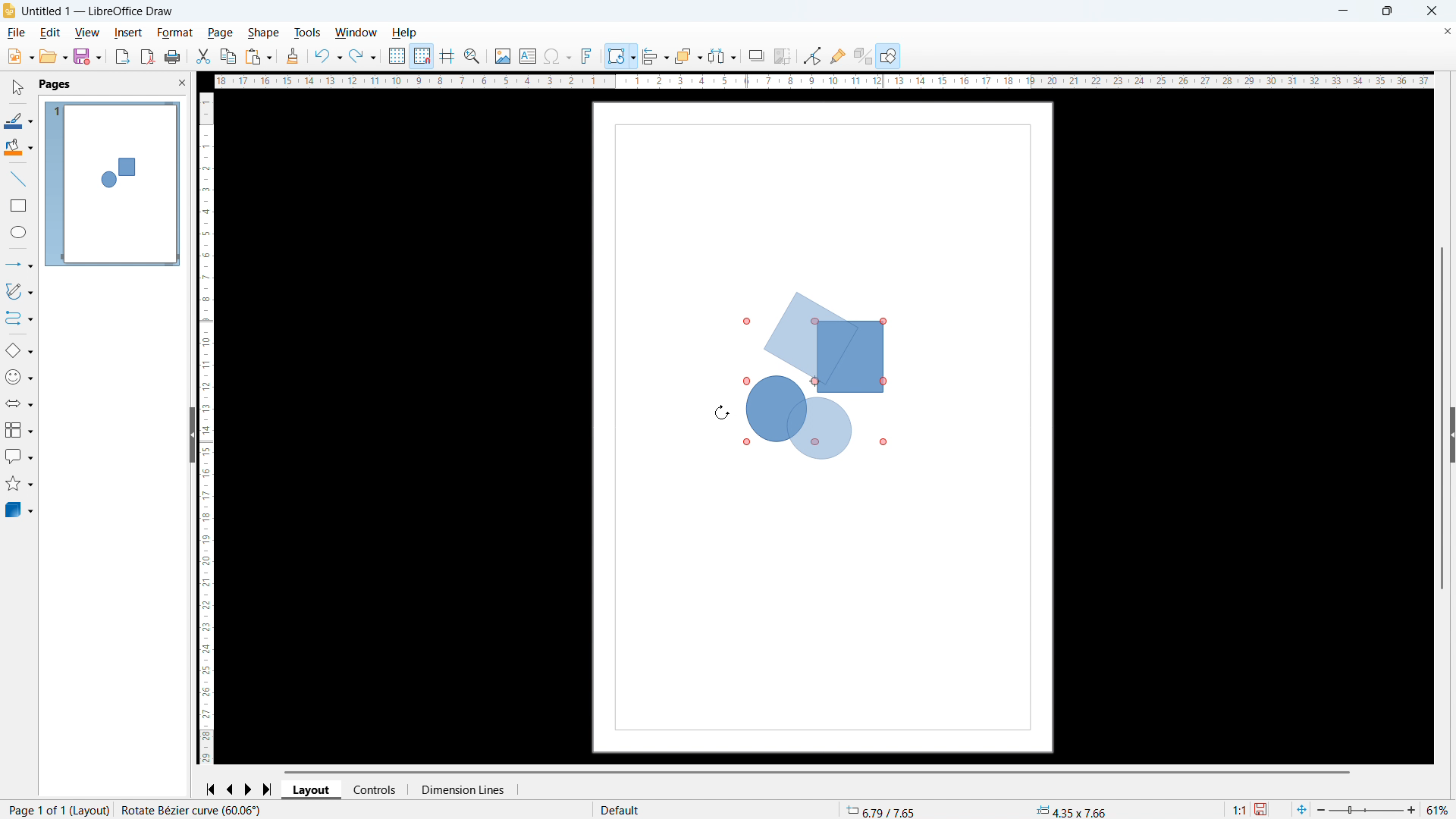  Describe the element at coordinates (250, 789) in the screenshot. I see `Next page ` at that location.